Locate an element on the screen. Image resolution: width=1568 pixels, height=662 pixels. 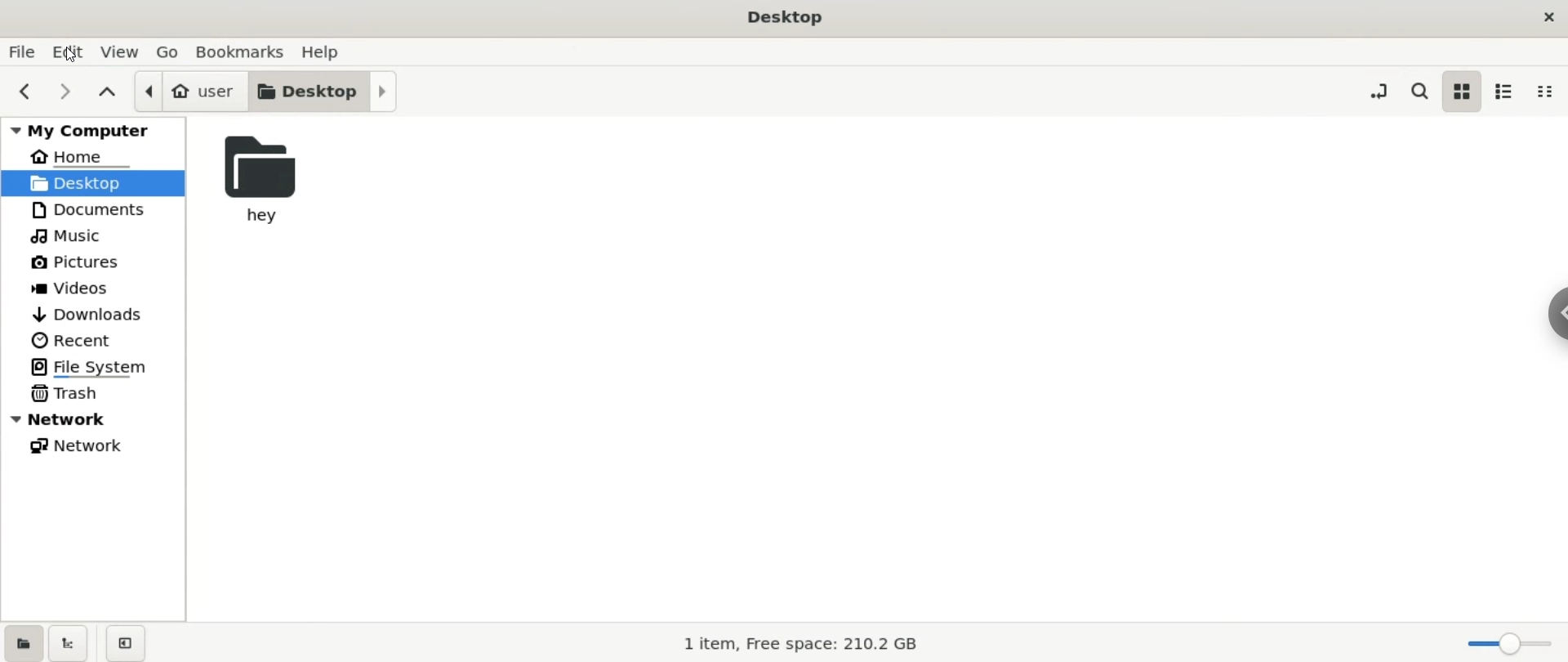
help is located at coordinates (321, 51).